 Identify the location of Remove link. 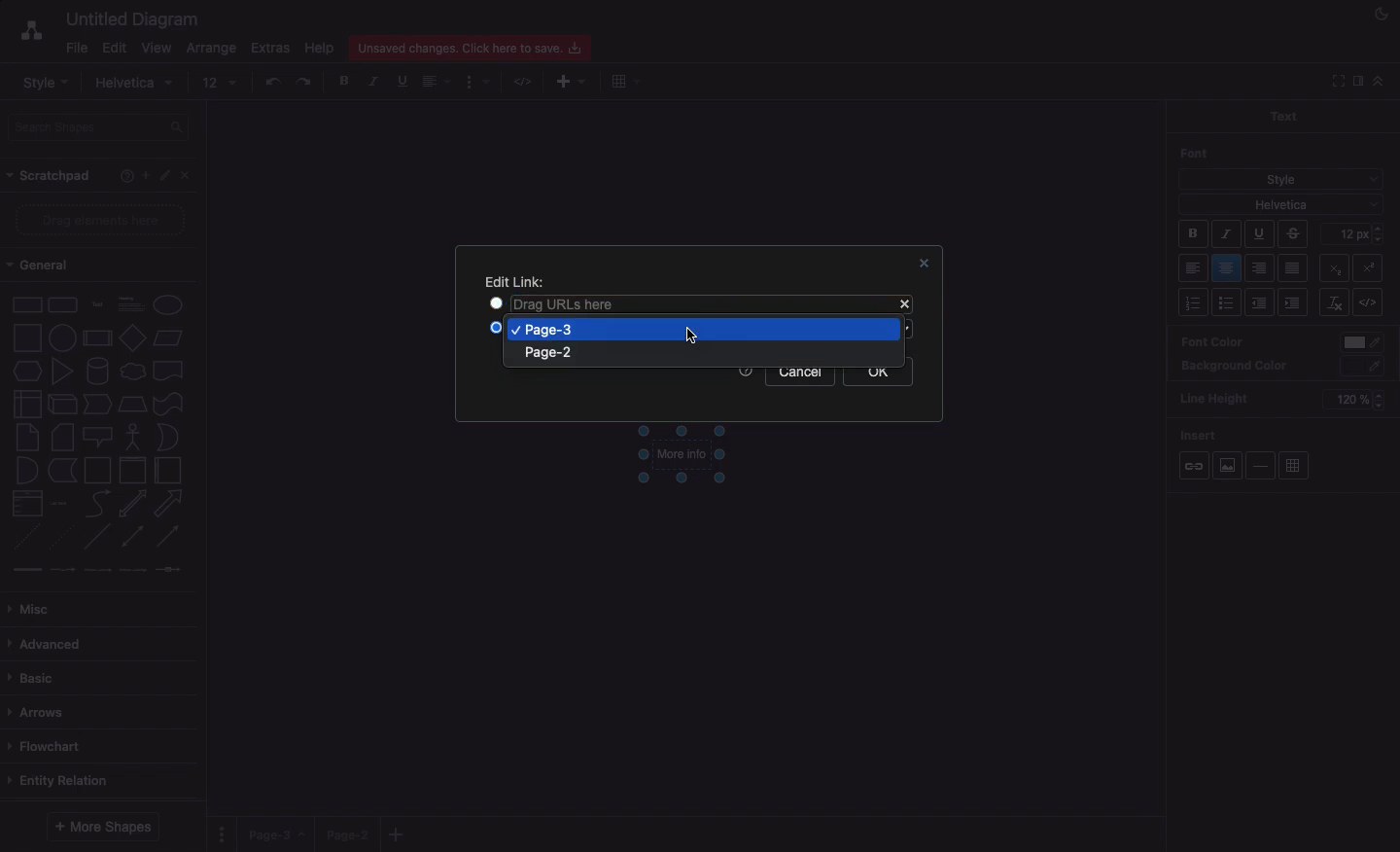
(1334, 302).